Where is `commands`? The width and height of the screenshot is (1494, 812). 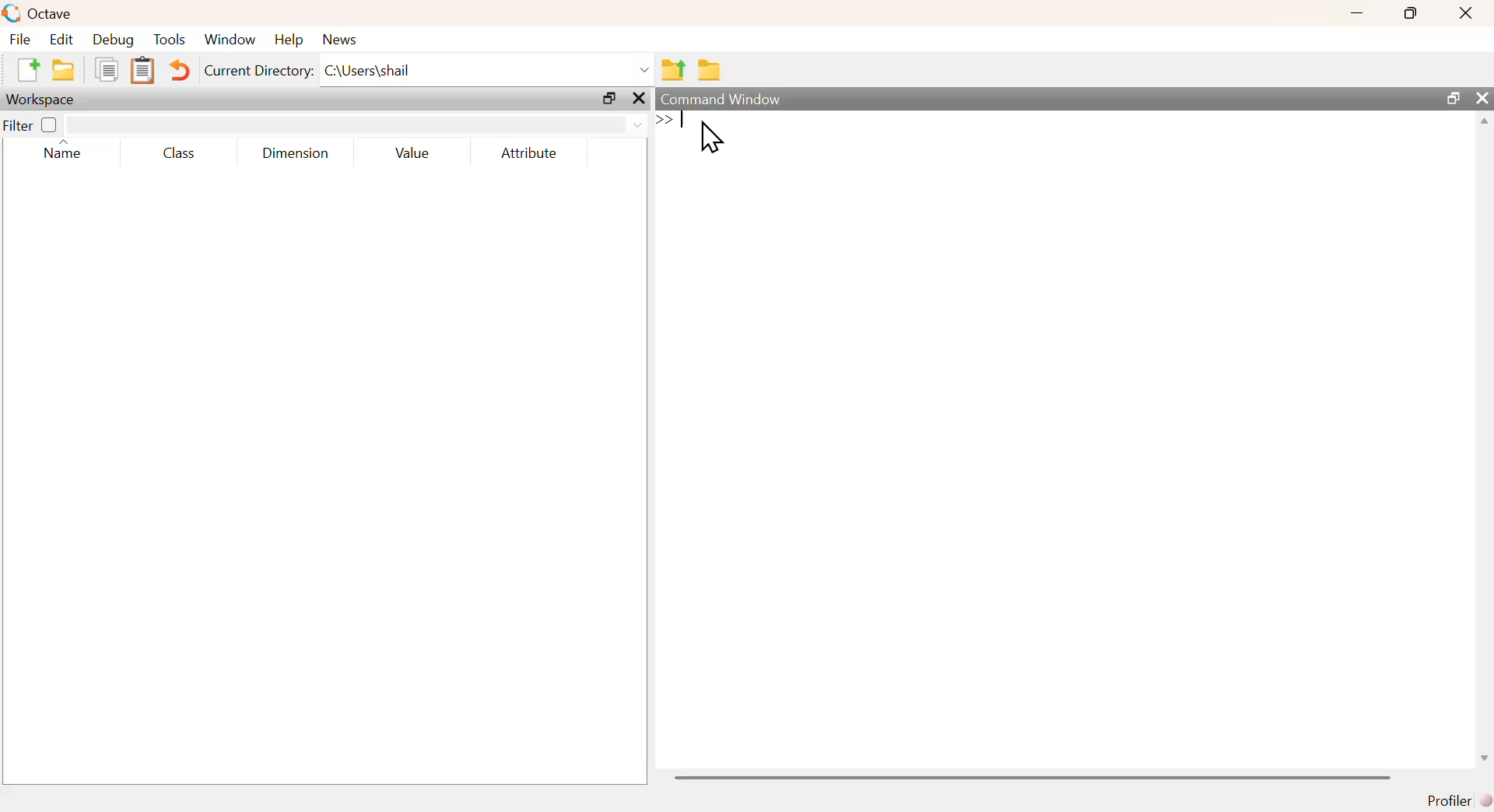
commands is located at coordinates (822, 135).